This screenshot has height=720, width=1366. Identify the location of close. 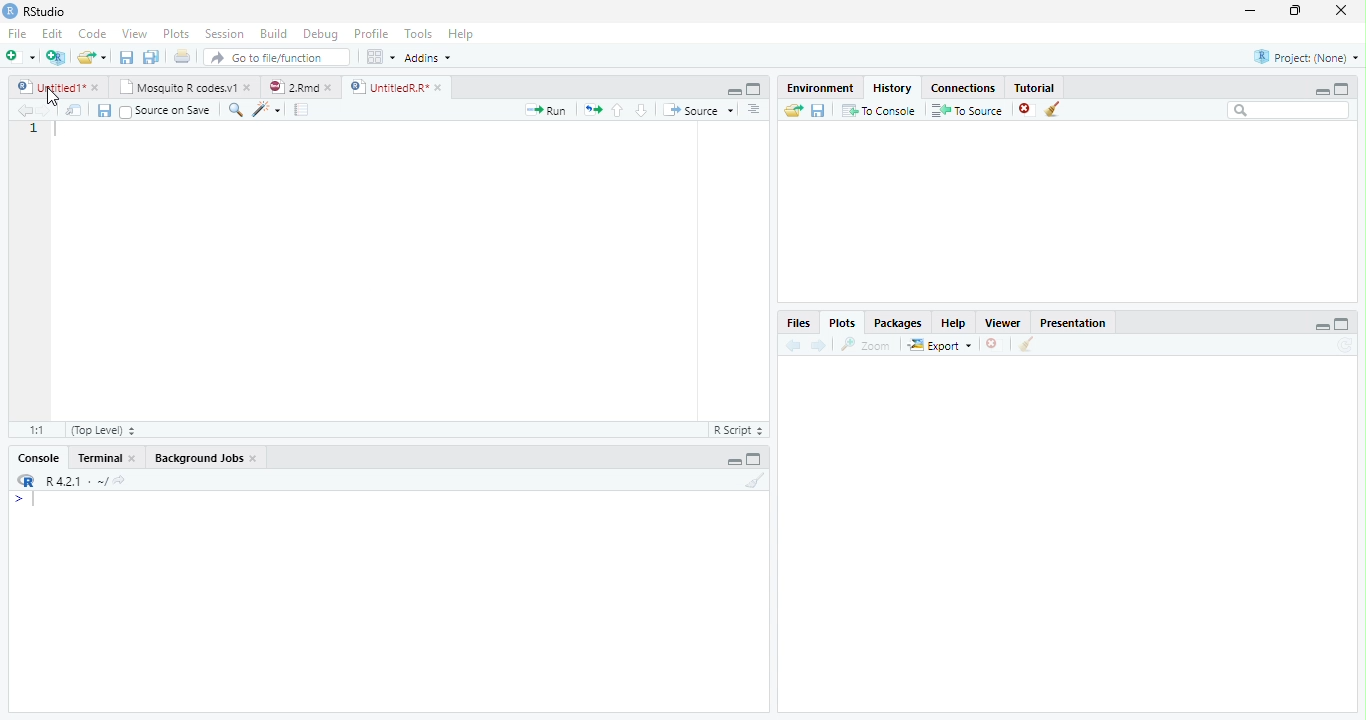
(97, 87).